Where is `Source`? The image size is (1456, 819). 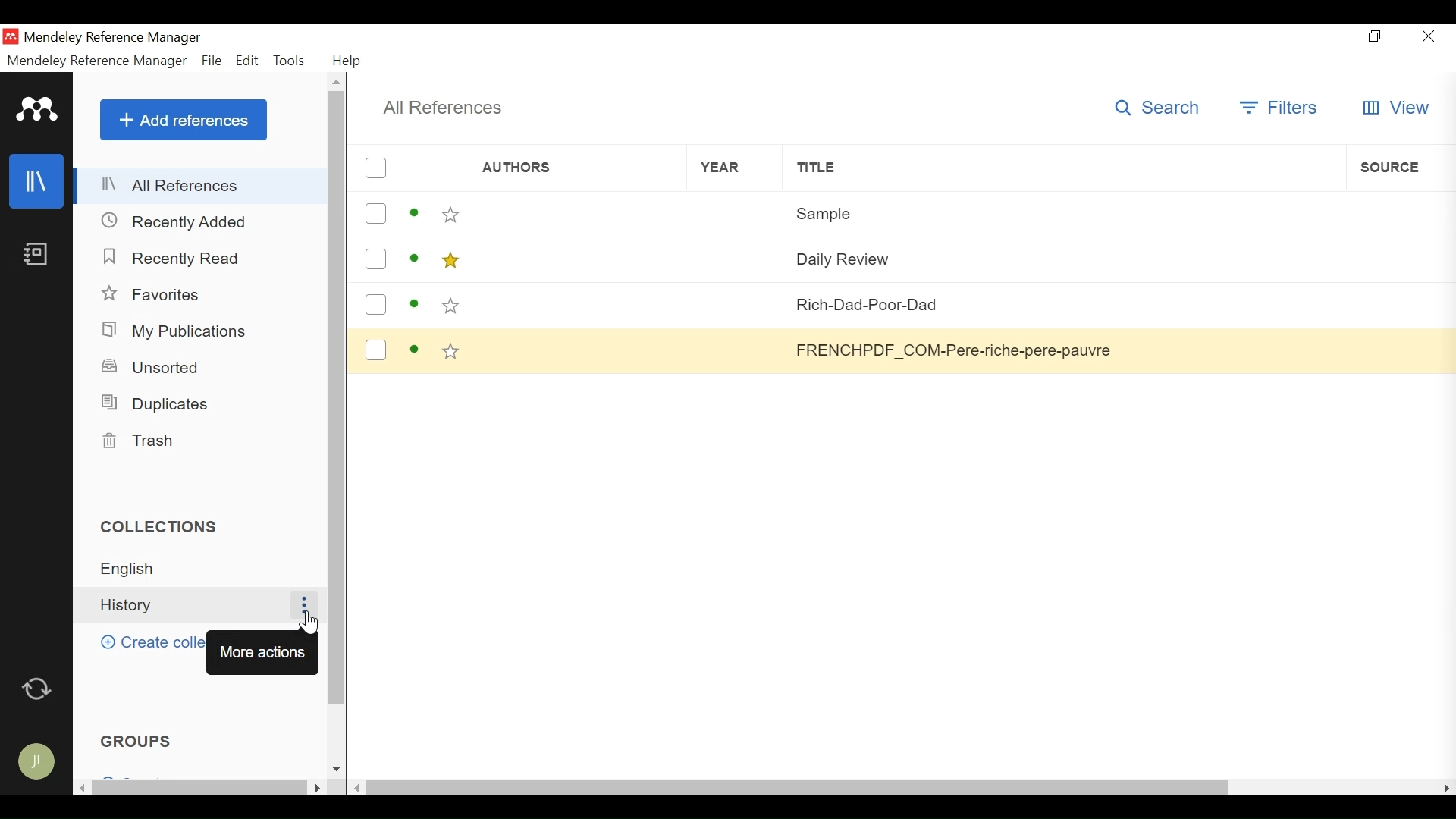
Source is located at coordinates (1396, 305).